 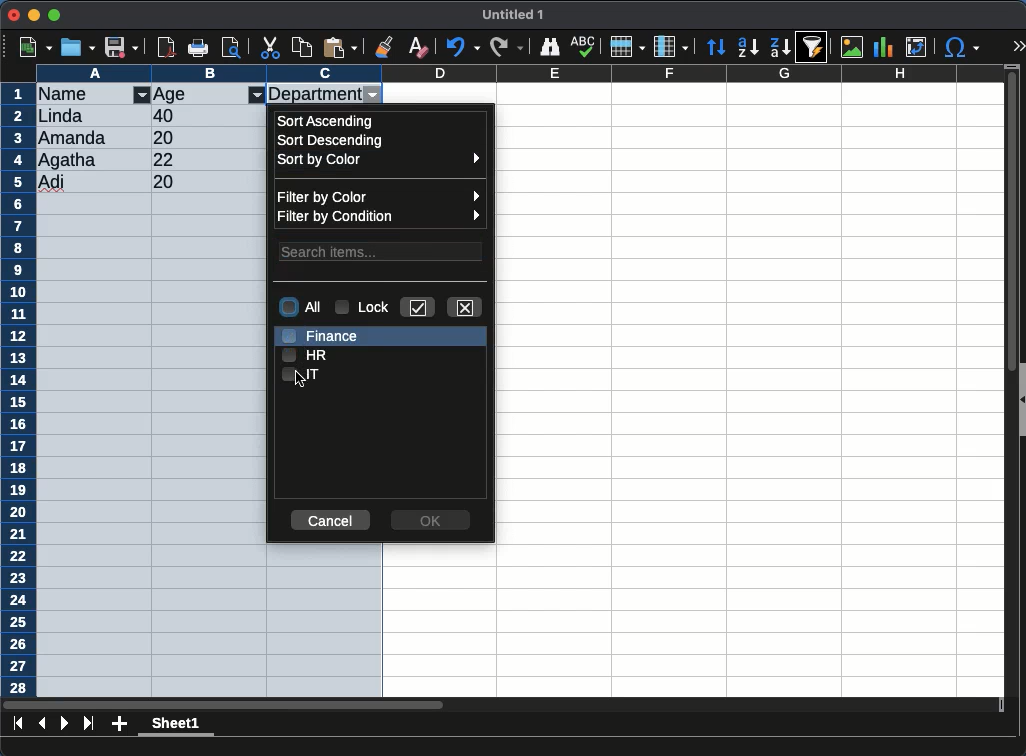 What do you see at coordinates (1020, 399) in the screenshot?
I see `collapse` at bounding box center [1020, 399].